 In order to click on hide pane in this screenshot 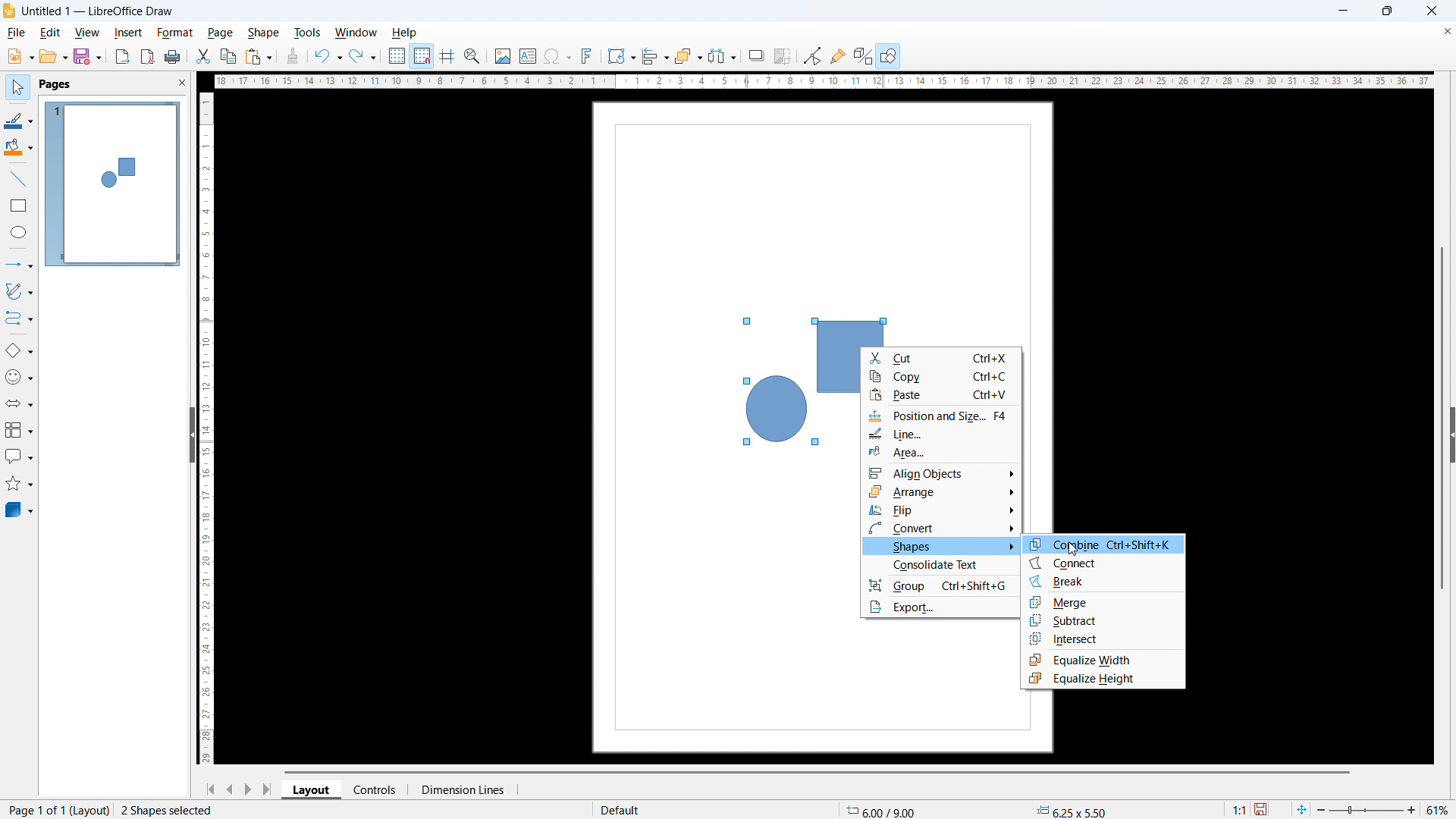, I will do `click(193, 435)`.